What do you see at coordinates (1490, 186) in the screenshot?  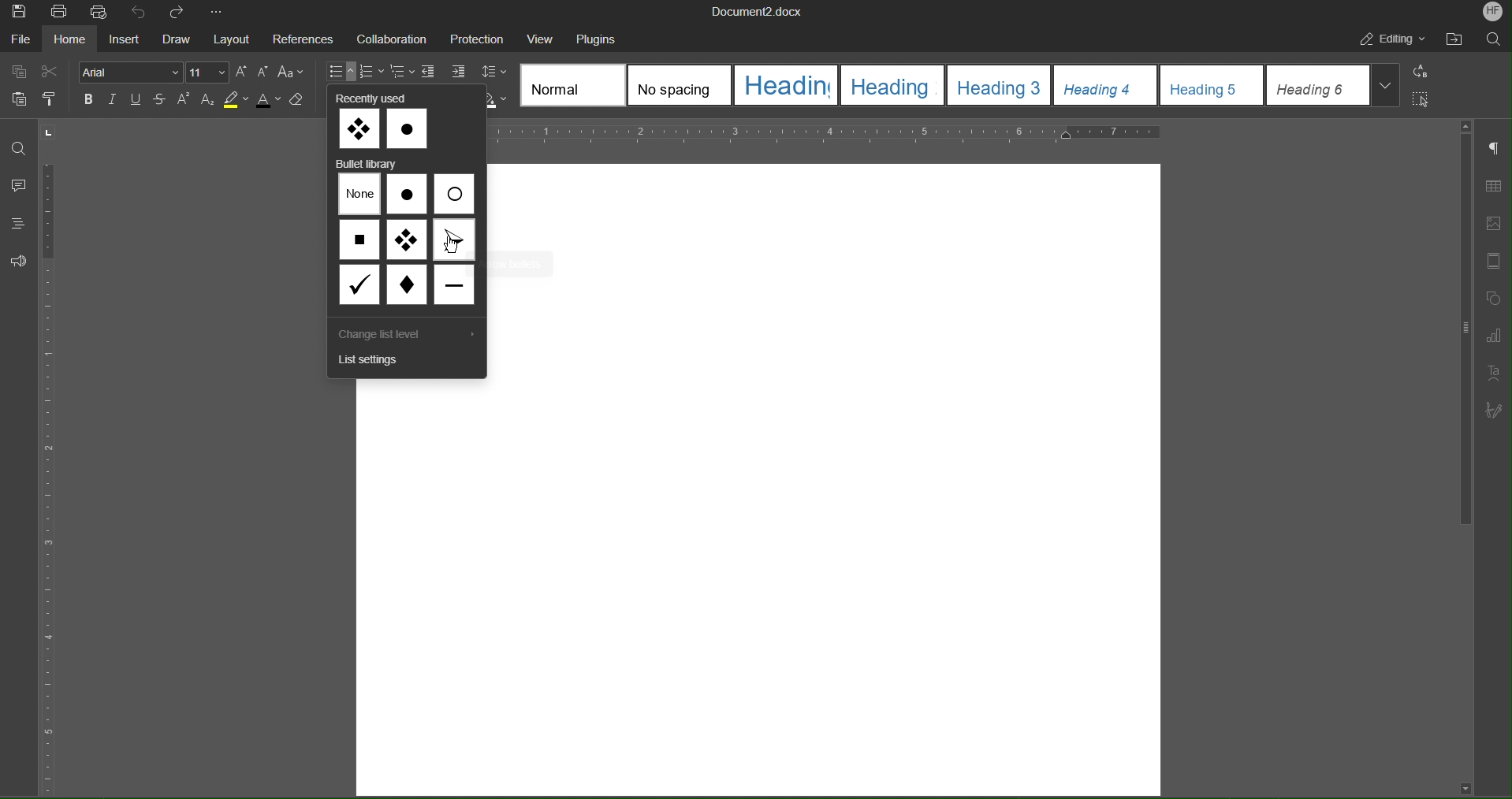 I see `Table Settings` at bounding box center [1490, 186].